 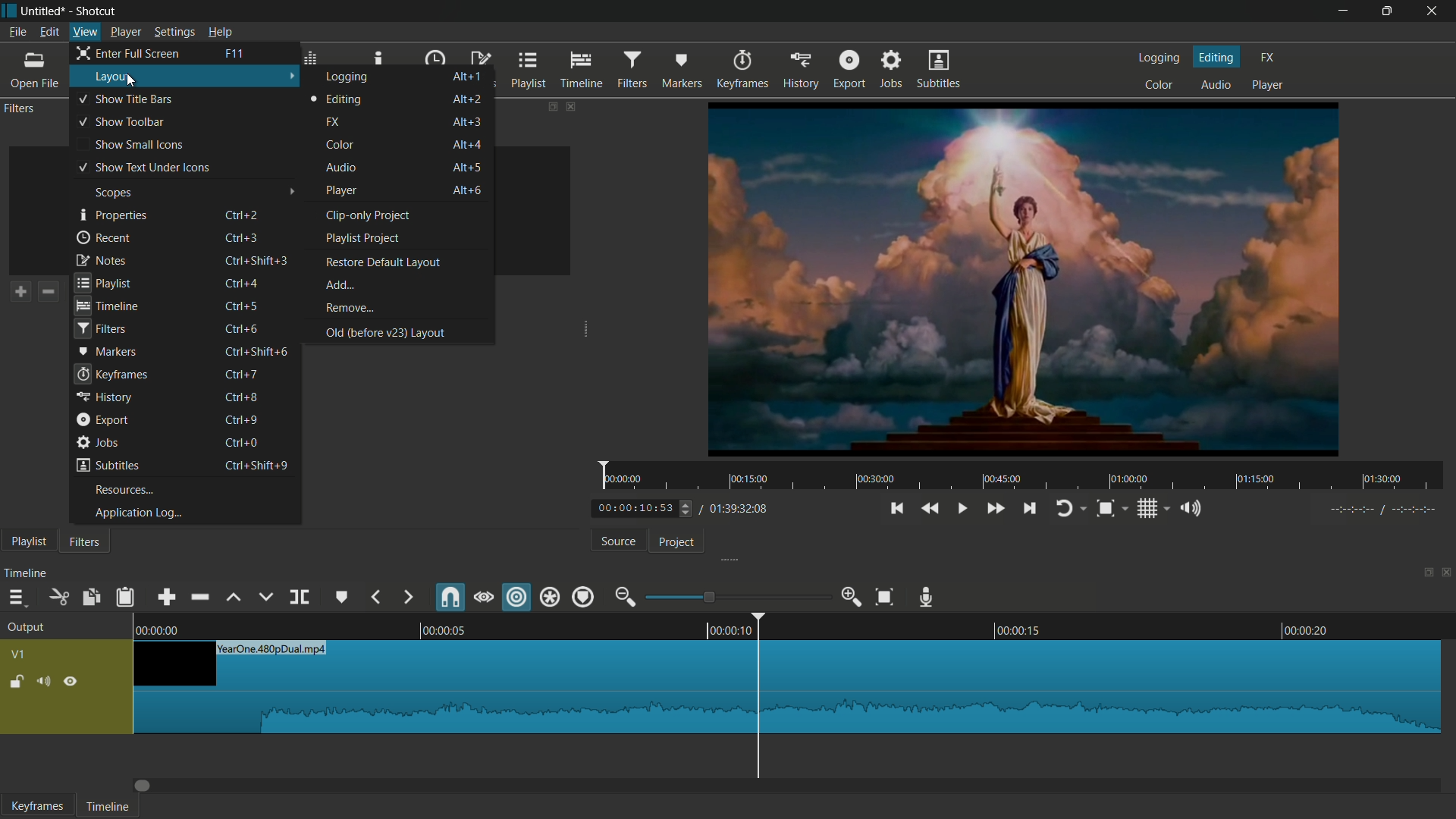 What do you see at coordinates (101, 419) in the screenshot?
I see `export` at bounding box center [101, 419].